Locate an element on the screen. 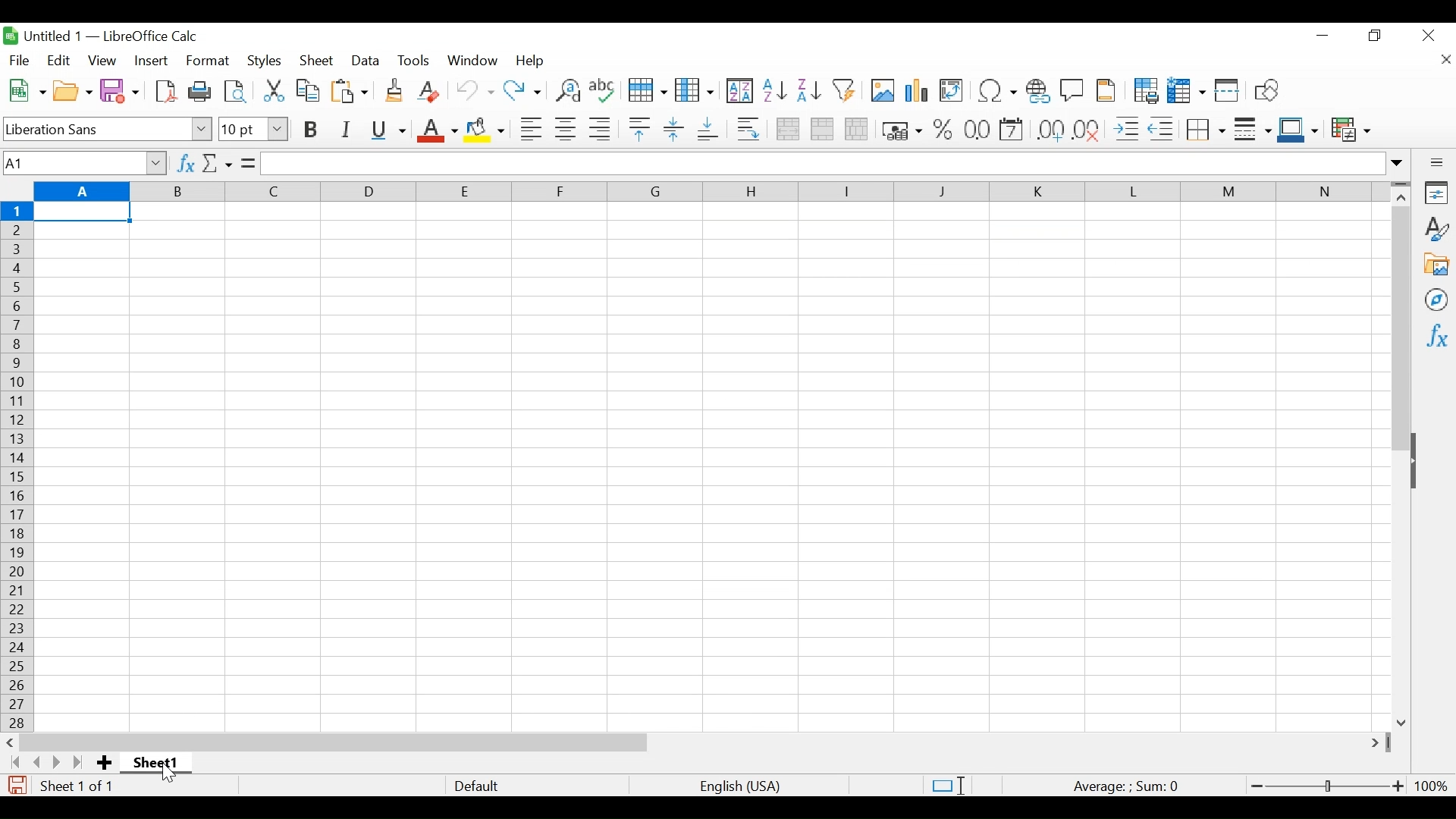 This screenshot has width=1456, height=819. Name Box is located at coordinates (83, 162).